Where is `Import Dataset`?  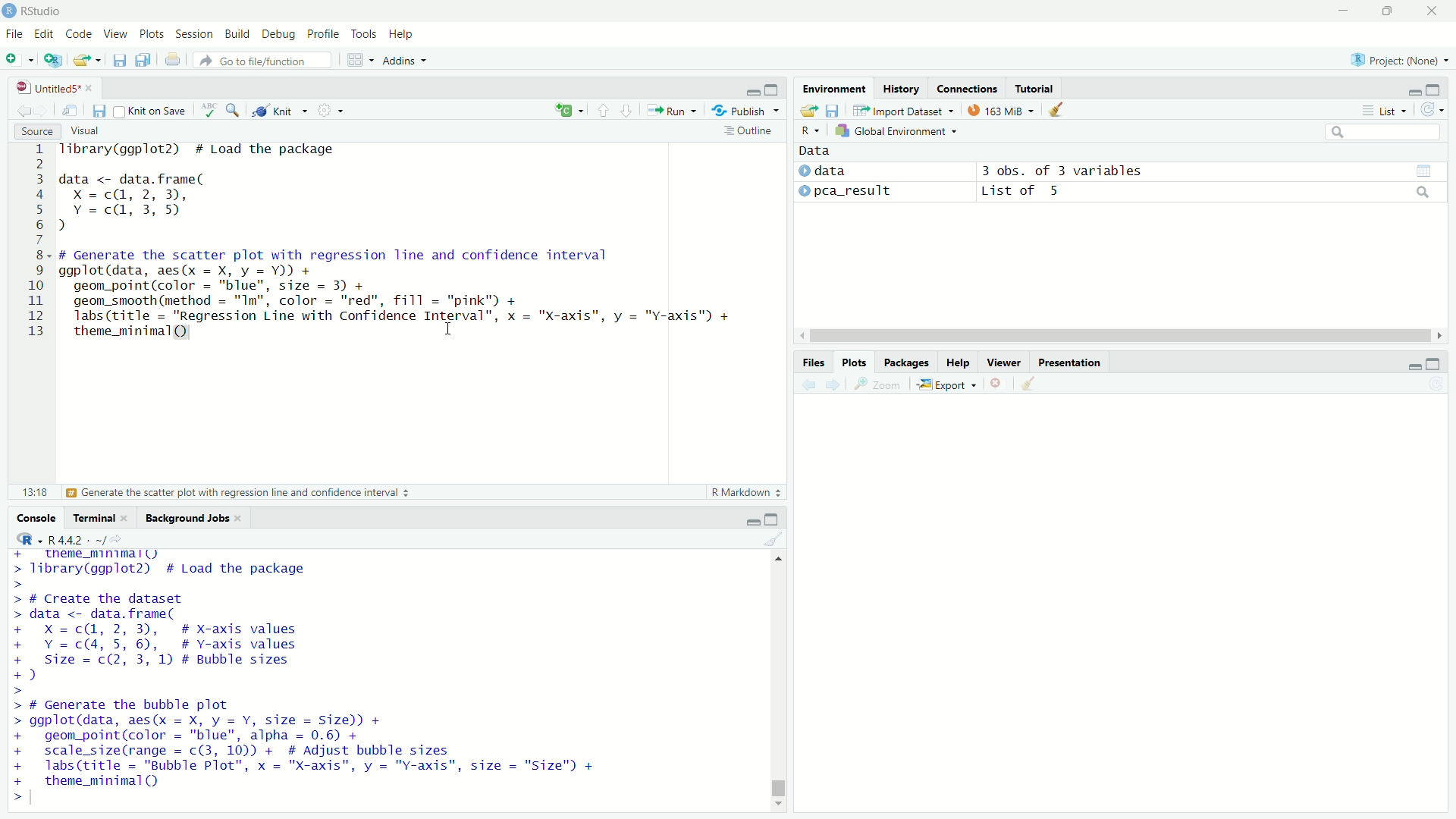 Import Dataset is located at coordinates (904, 109).